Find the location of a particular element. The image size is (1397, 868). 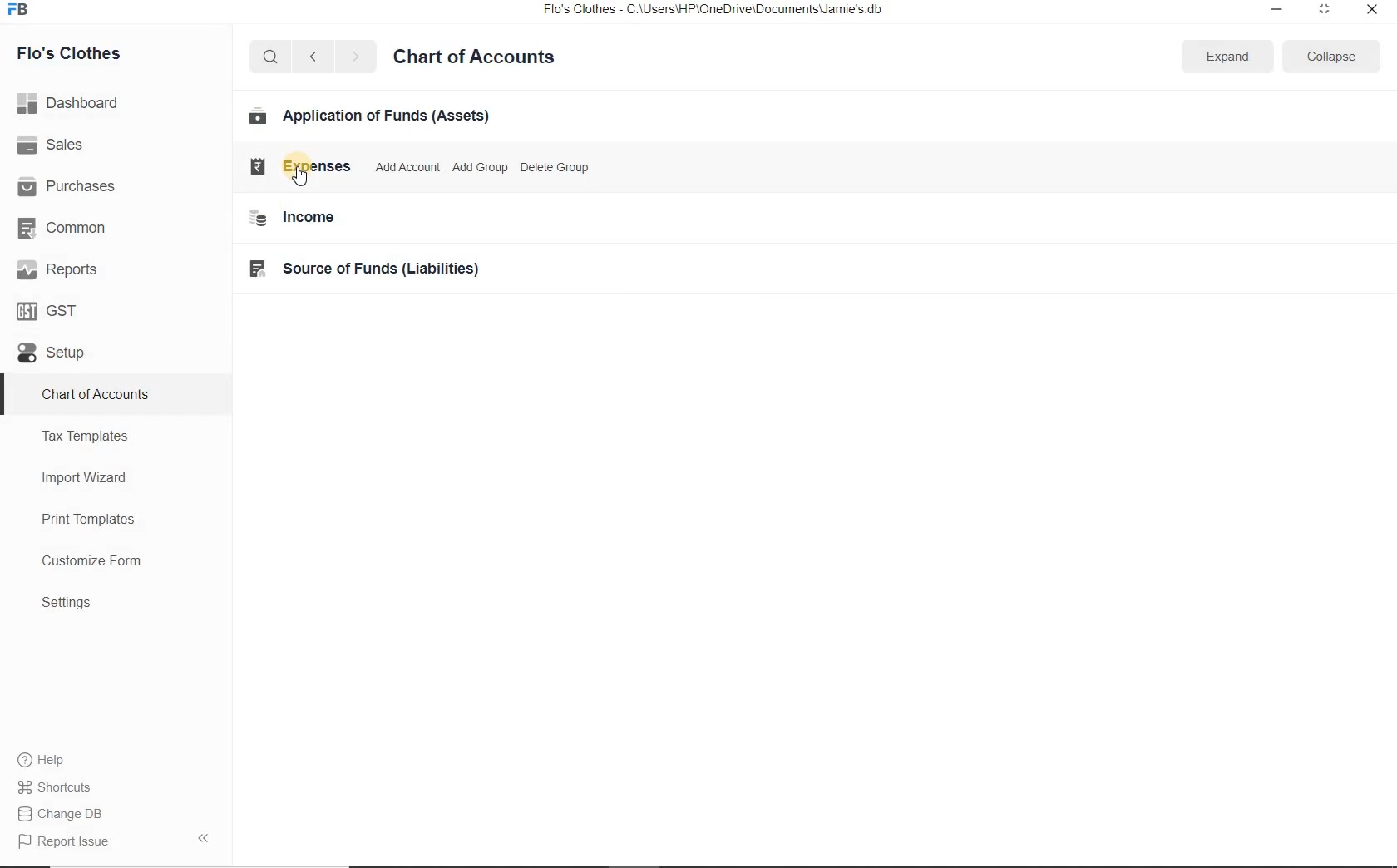

 Help is located at coordinates (51, 760).